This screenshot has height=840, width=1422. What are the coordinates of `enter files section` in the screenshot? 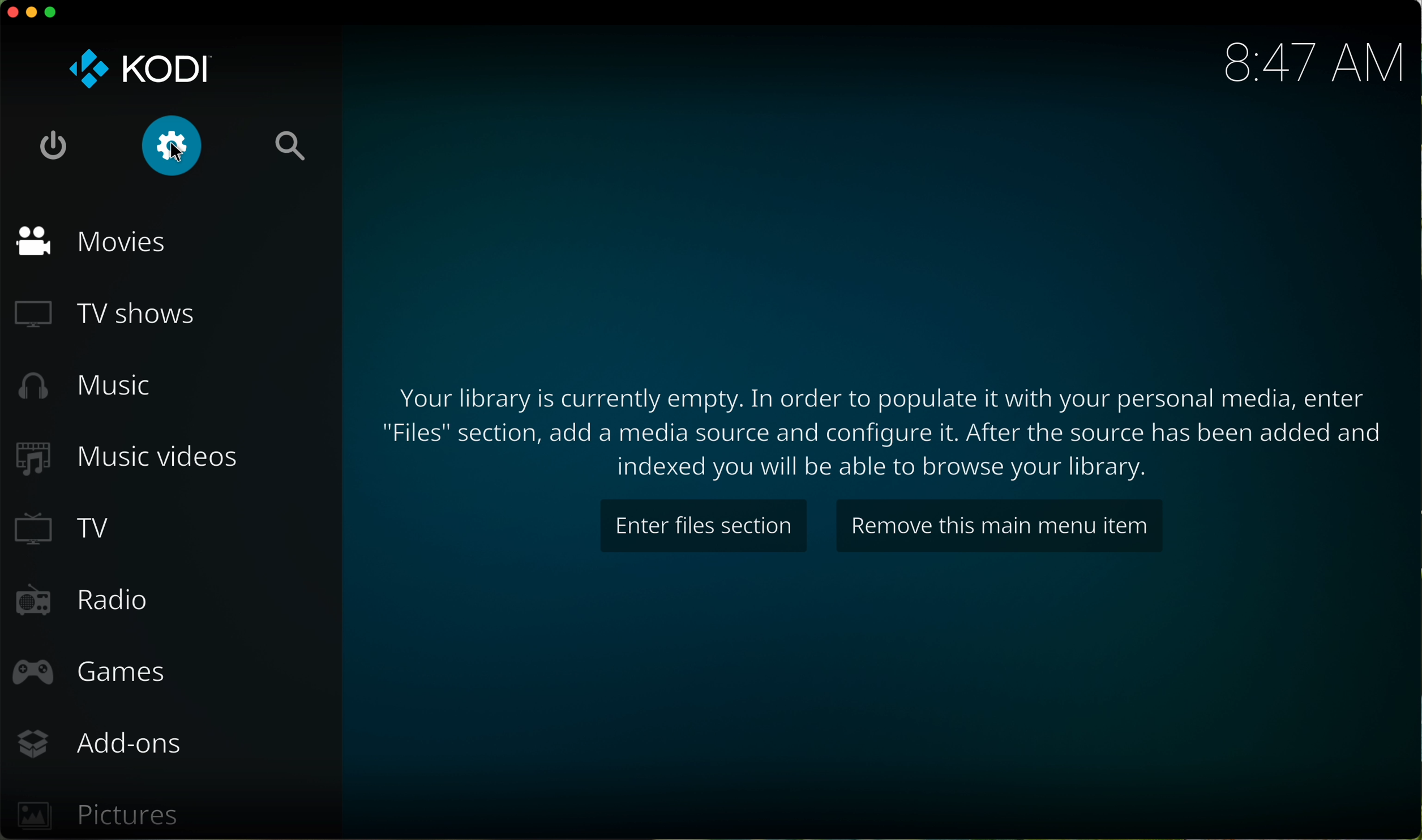 It's located at (704, 525).